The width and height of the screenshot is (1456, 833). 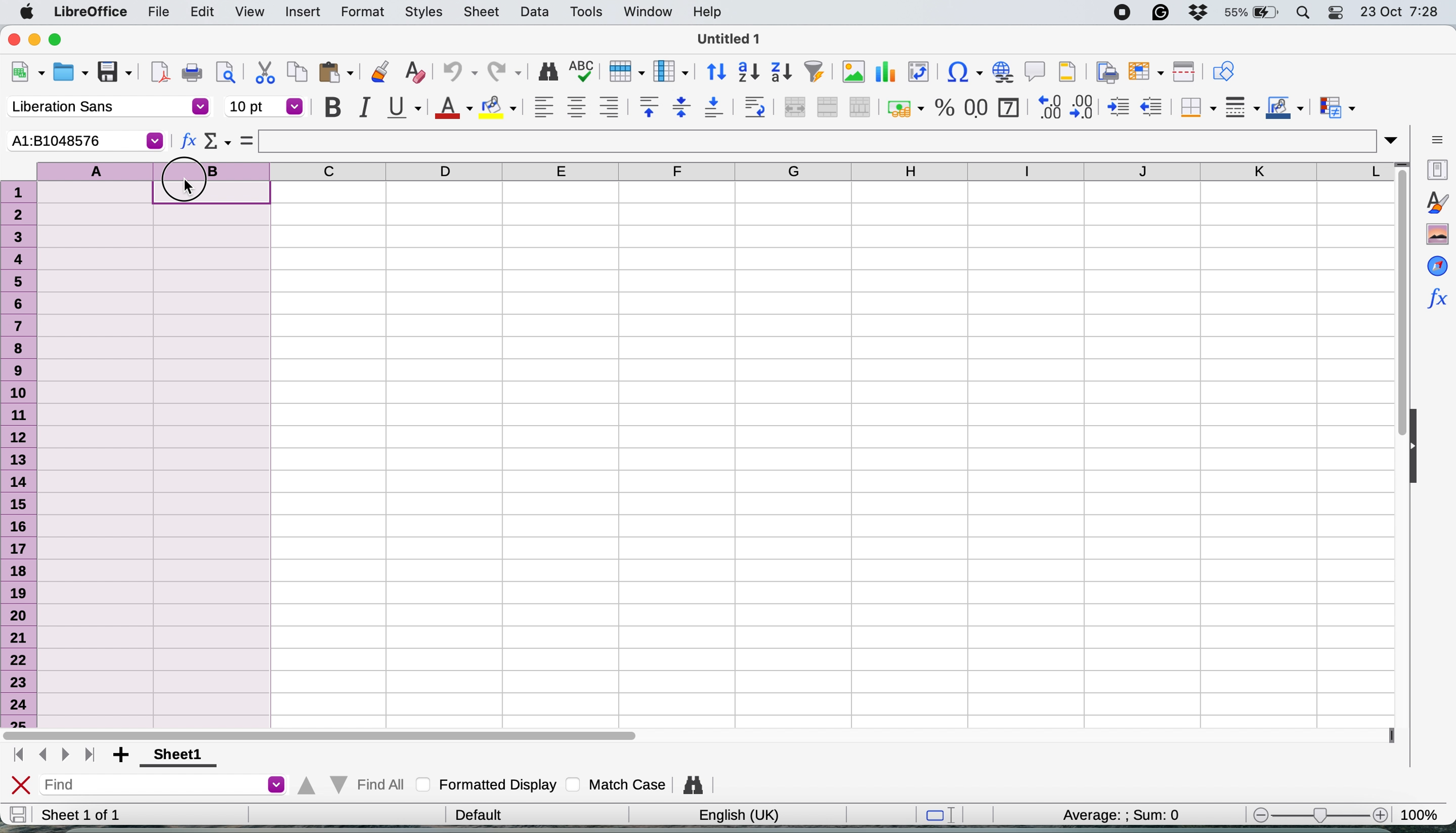 What do you see at coordinates (1315, 815) in the screenshot?
I see `zoom scale` at bounding box center [1315, 815].